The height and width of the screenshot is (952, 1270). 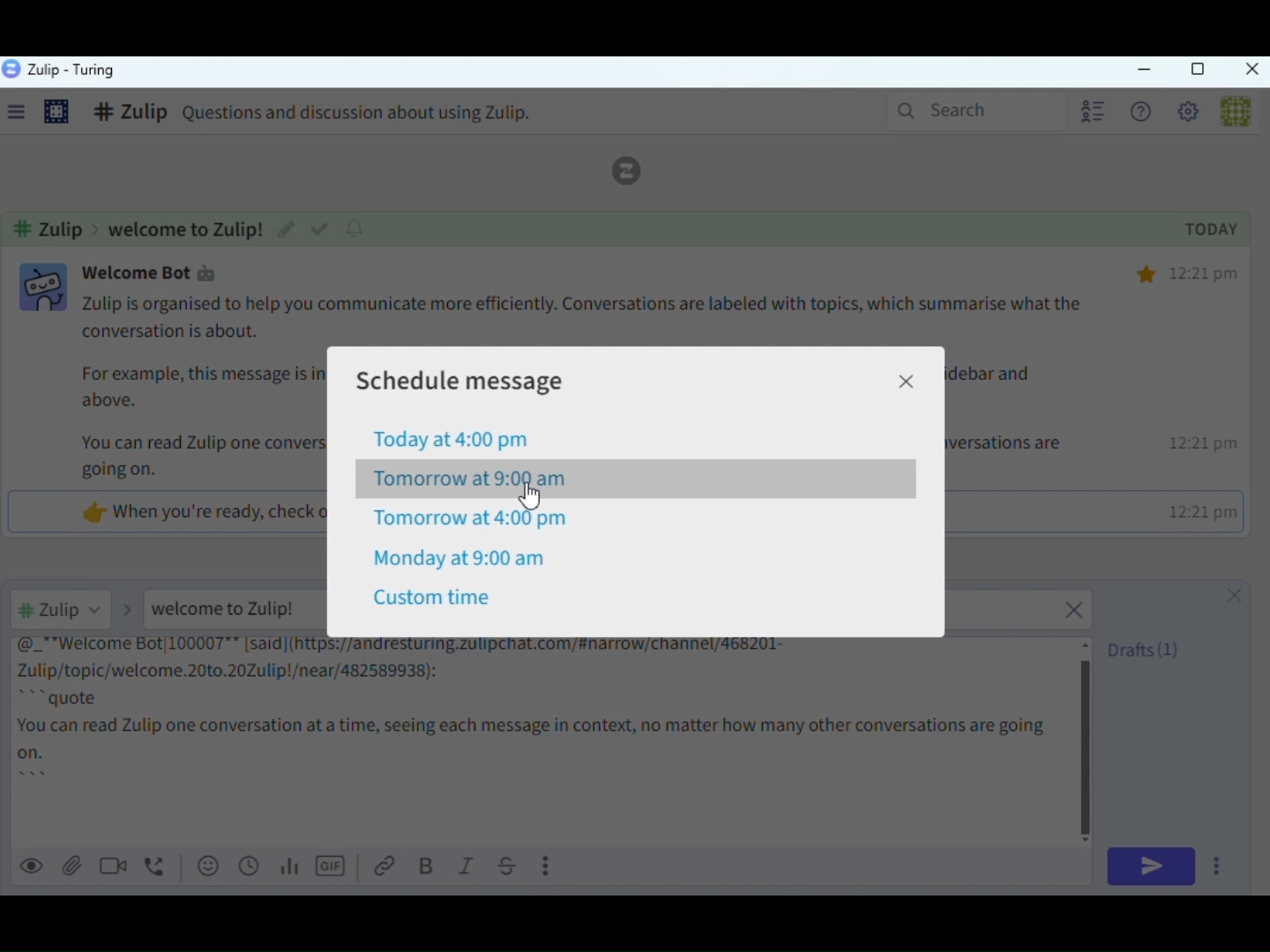 I want to click on Close, so click(x=907, y=383).